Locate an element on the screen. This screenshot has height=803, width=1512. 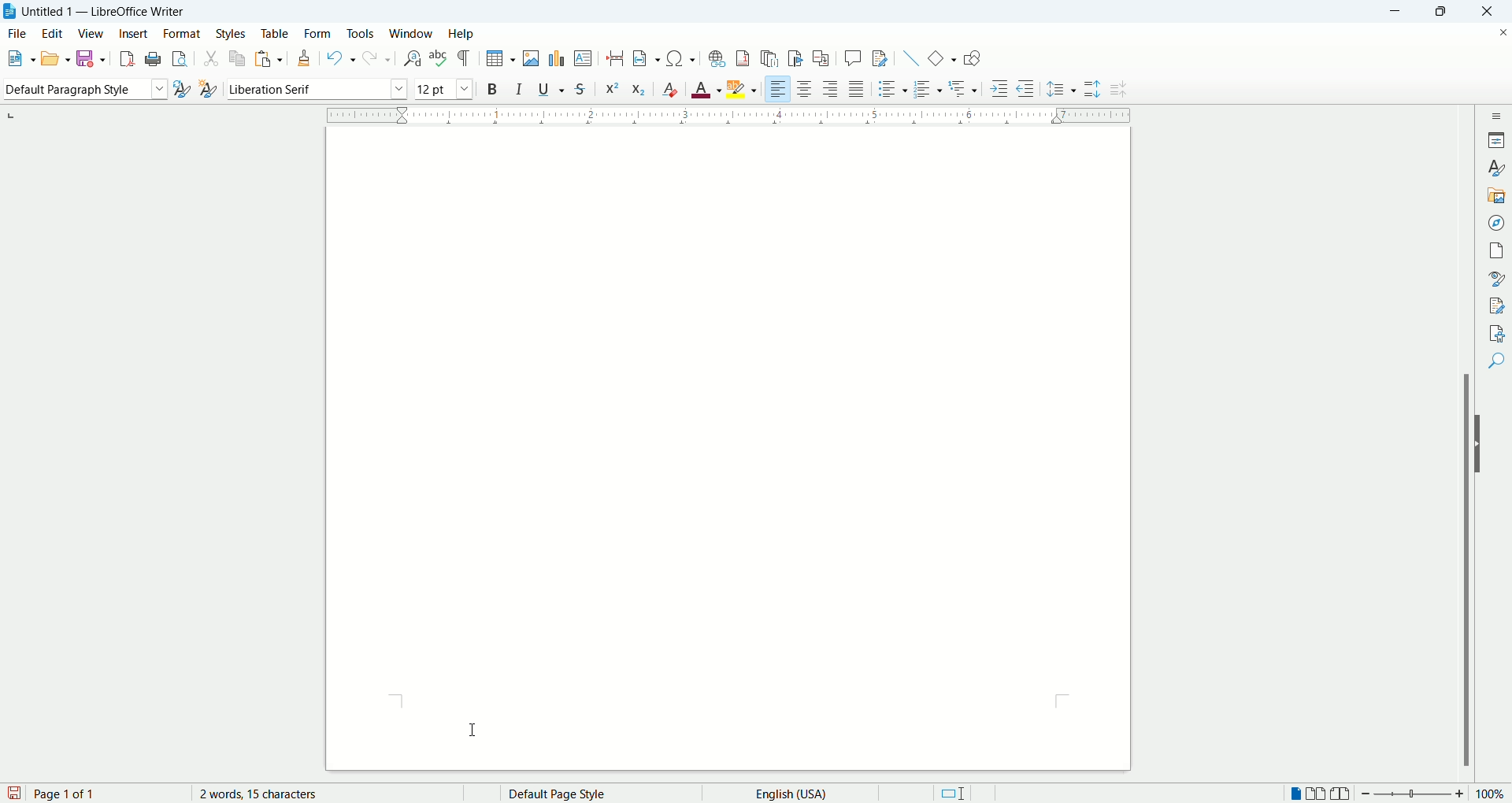
increase paragraph spacing is located at coordinates (1092, 90).